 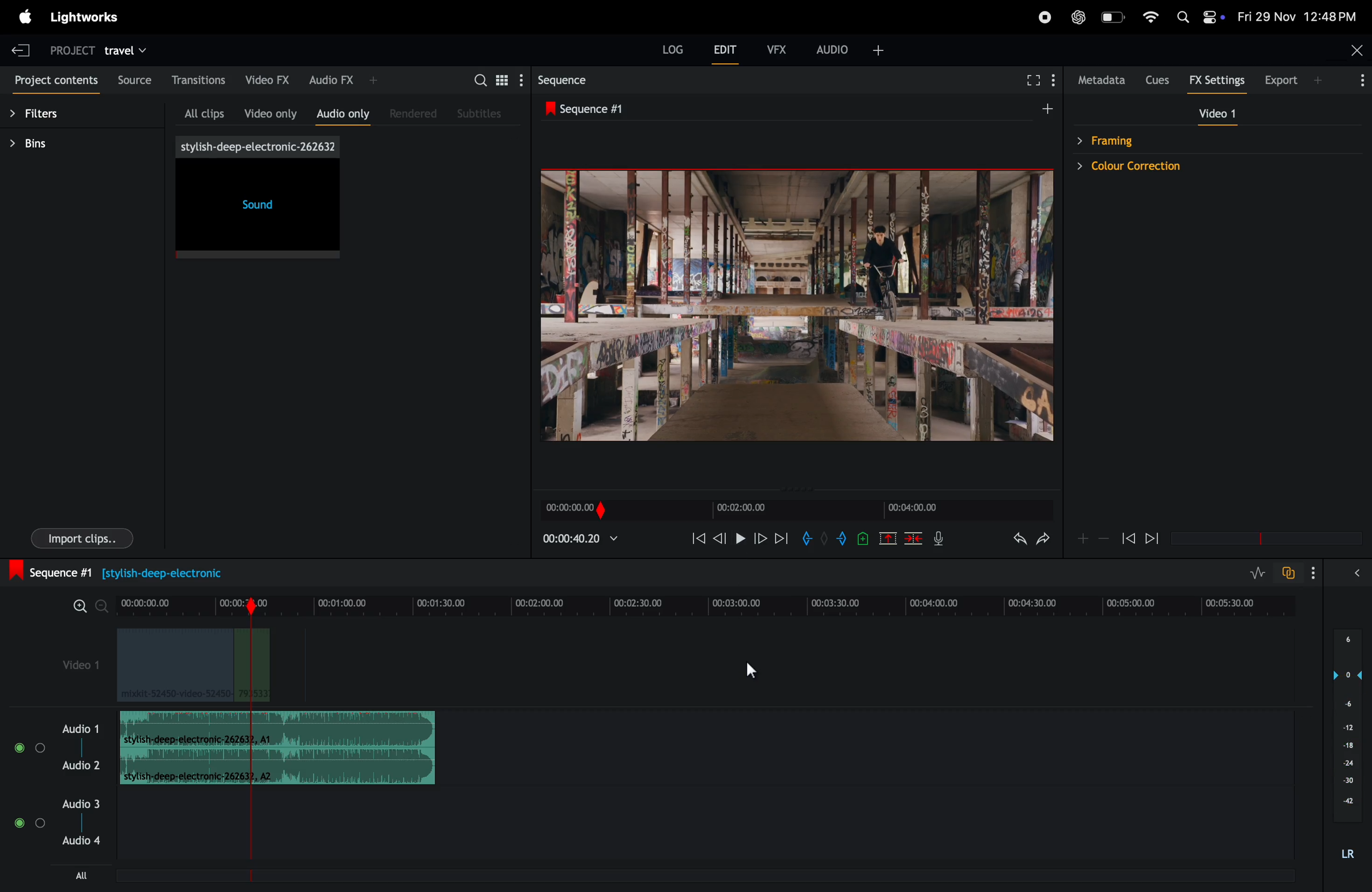 I want to click on date and time, so click(x=1297, y=18).